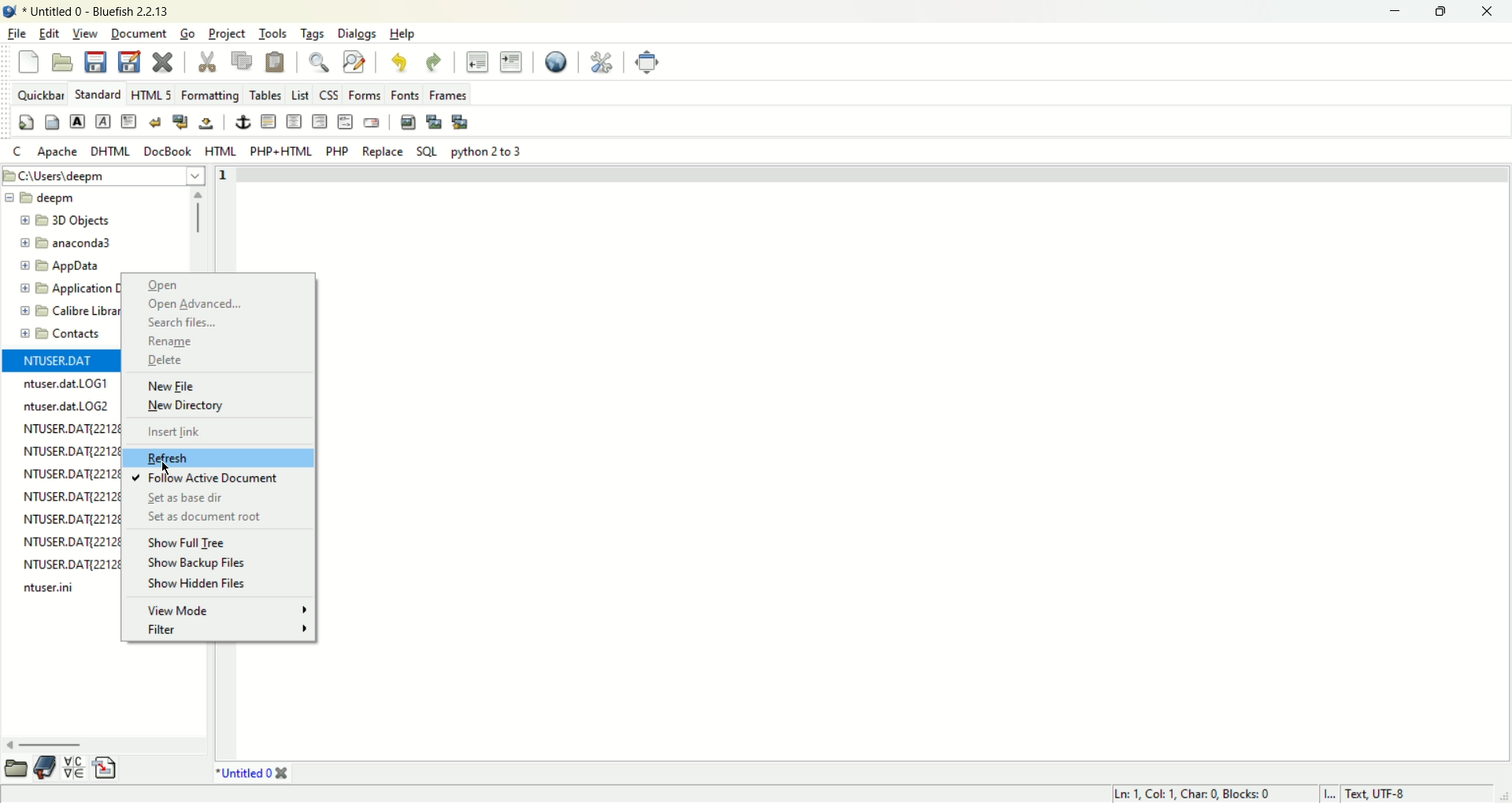 The width and height of the screenshot is (1512, 803). I want to click on show full tree, so click(188, 543).